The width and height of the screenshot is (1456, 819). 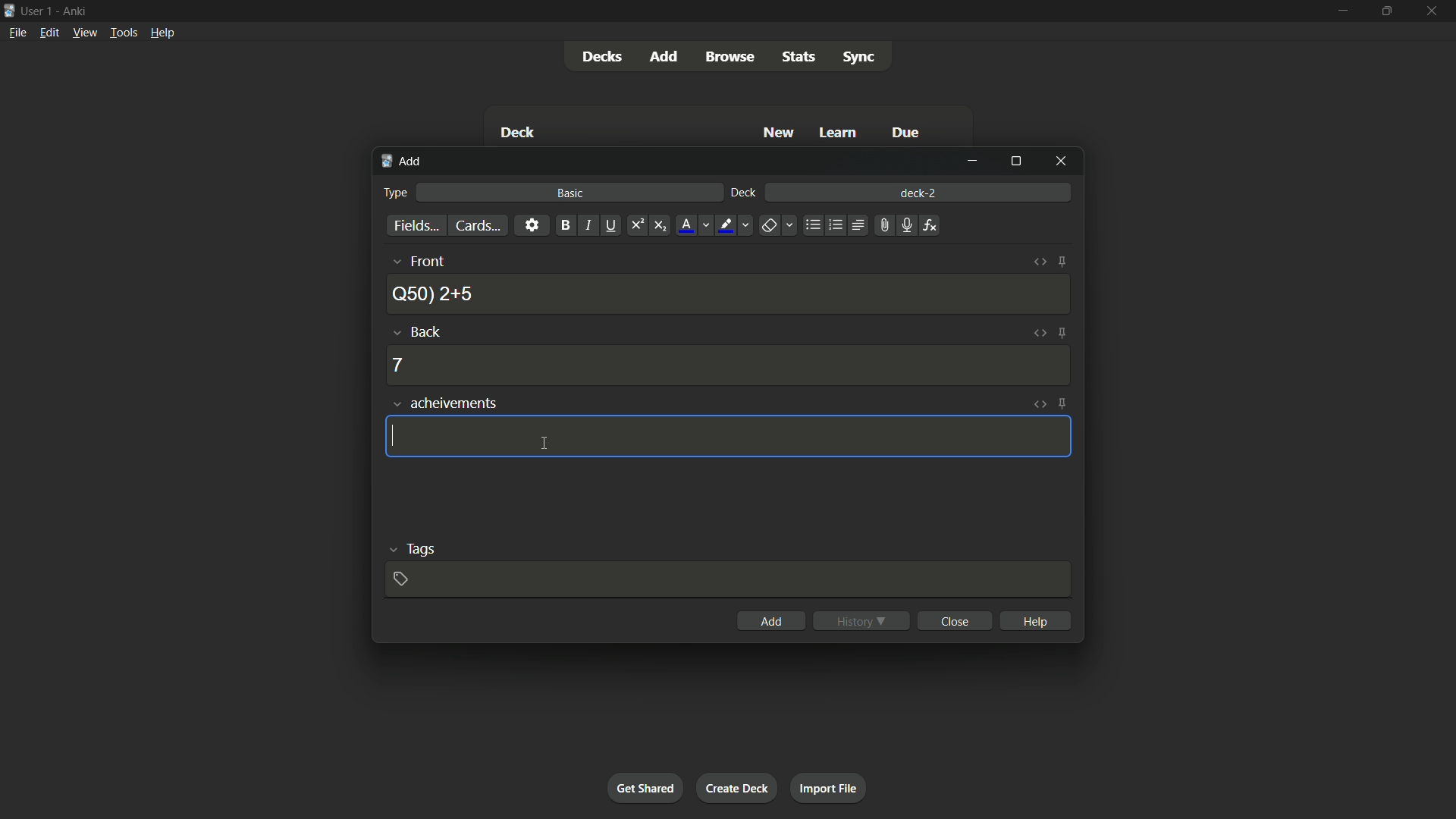 What do you see at coordinates (1038, 262) in the screenshot?
I see `toggle html editor` at bounding box center [1038, 262].